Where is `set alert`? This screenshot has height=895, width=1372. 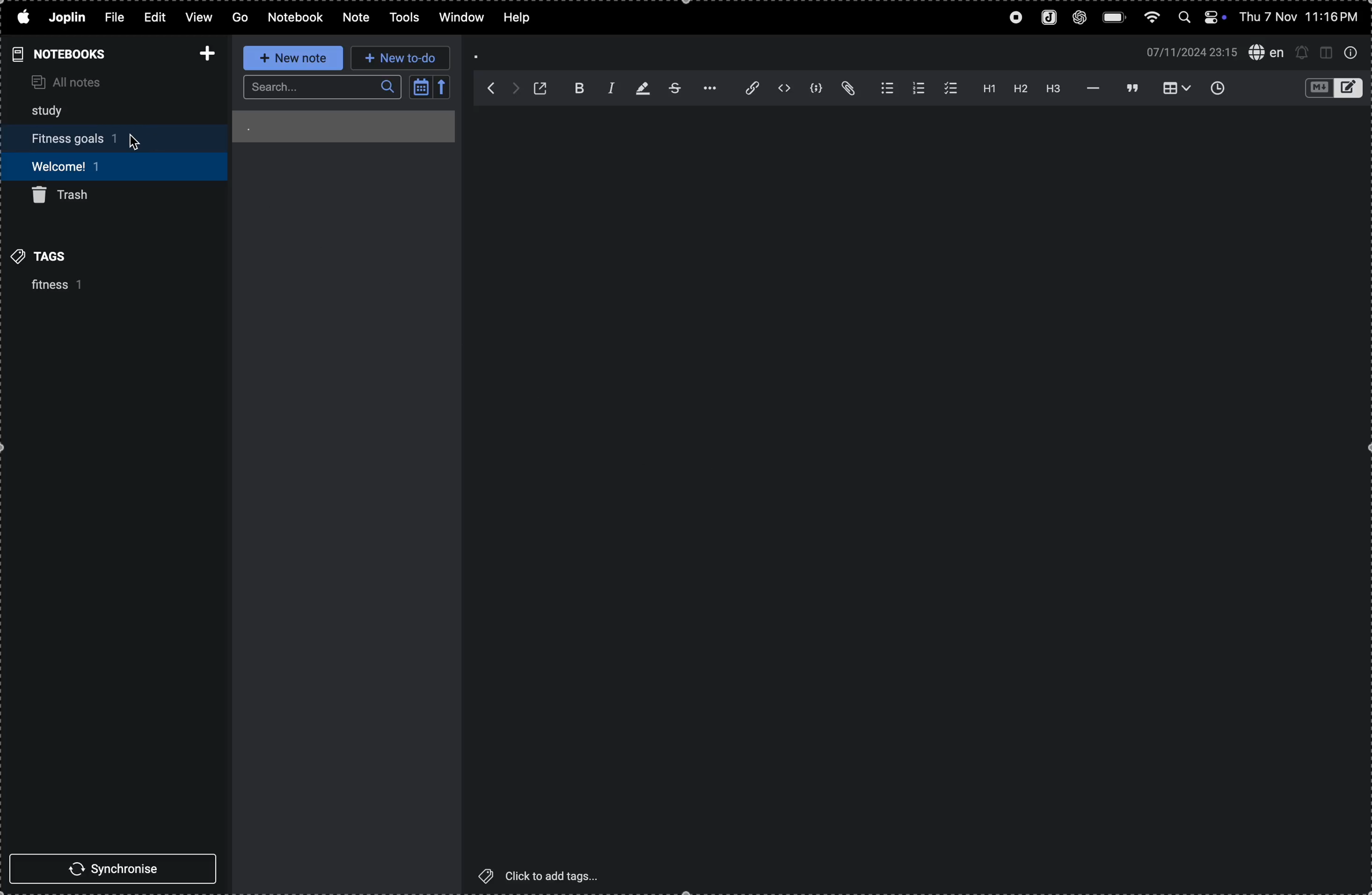 set alert is located at coordinates (1302, 52).